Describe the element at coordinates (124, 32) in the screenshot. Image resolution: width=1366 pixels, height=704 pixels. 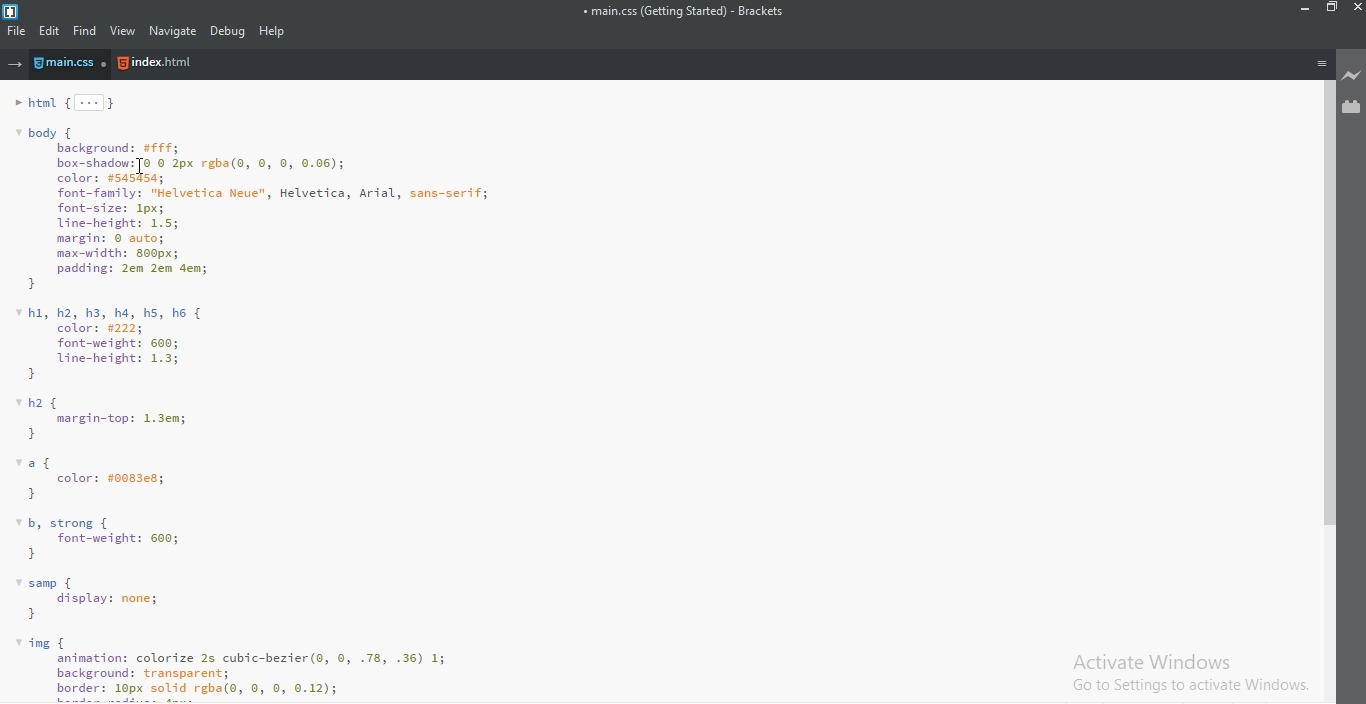
I see `view` at that location.